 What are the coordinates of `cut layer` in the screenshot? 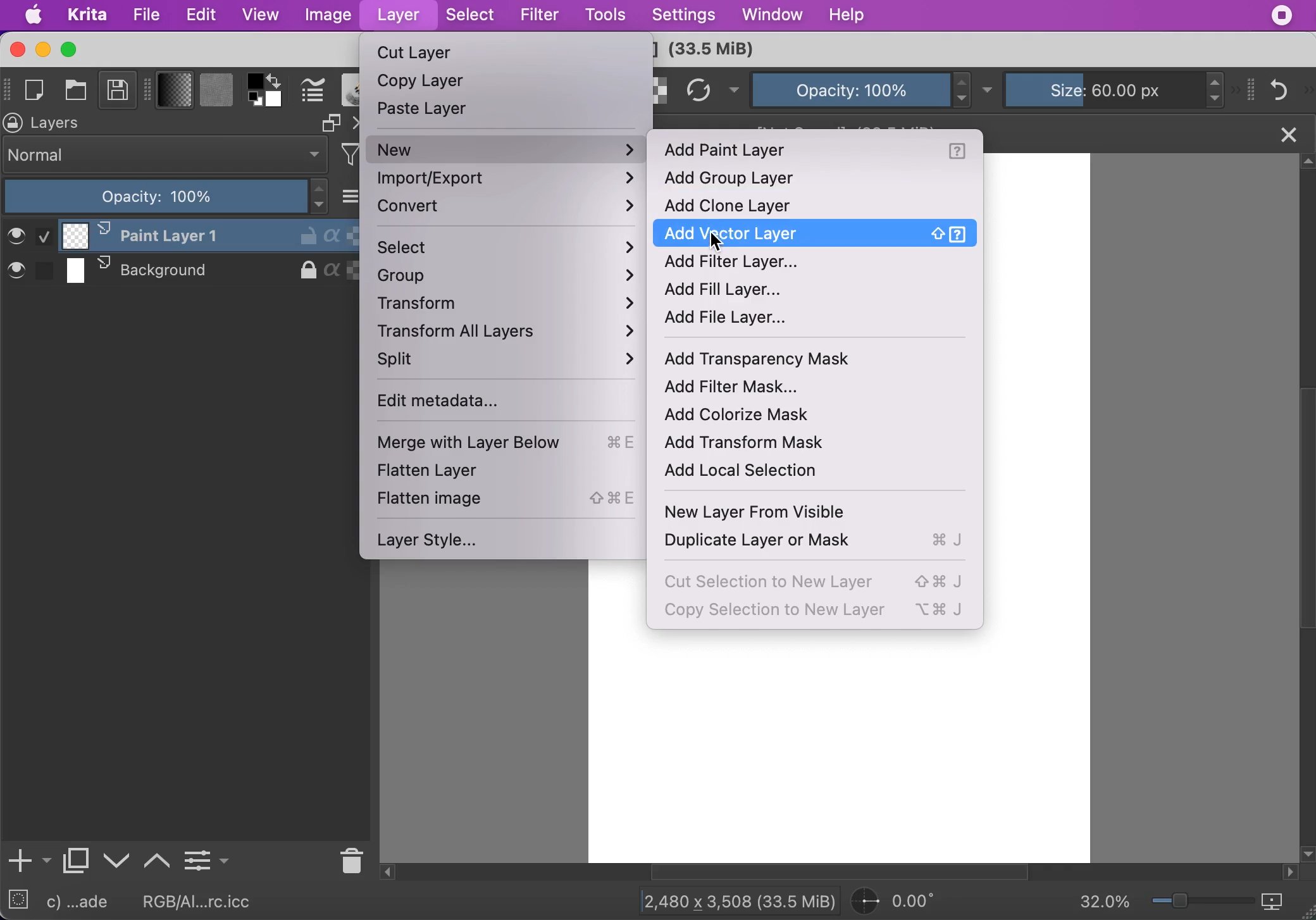 It's located at (417, 54).